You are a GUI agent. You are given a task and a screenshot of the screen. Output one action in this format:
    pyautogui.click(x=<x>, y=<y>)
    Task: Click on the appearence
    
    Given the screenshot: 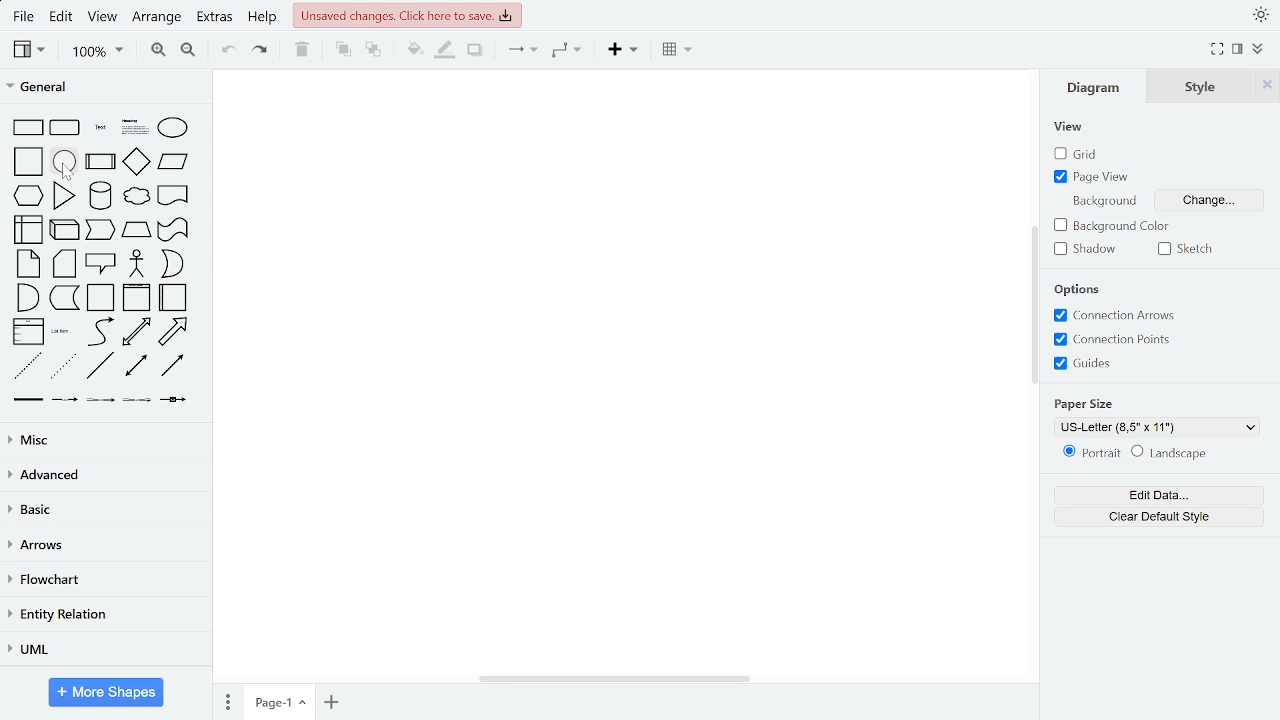 What is the action you would take?
    pyautogui.click(x=1258, y=16)
    